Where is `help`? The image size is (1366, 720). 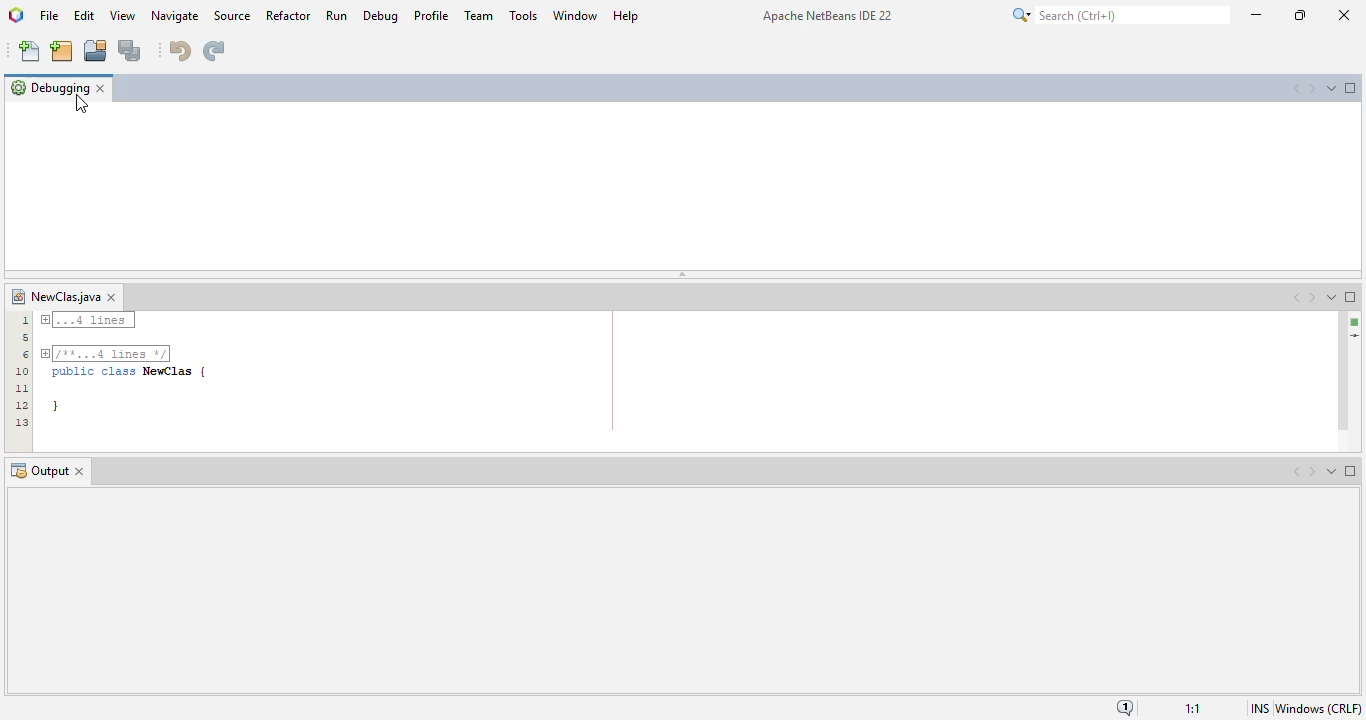 help is located at coordinates (626, 14).